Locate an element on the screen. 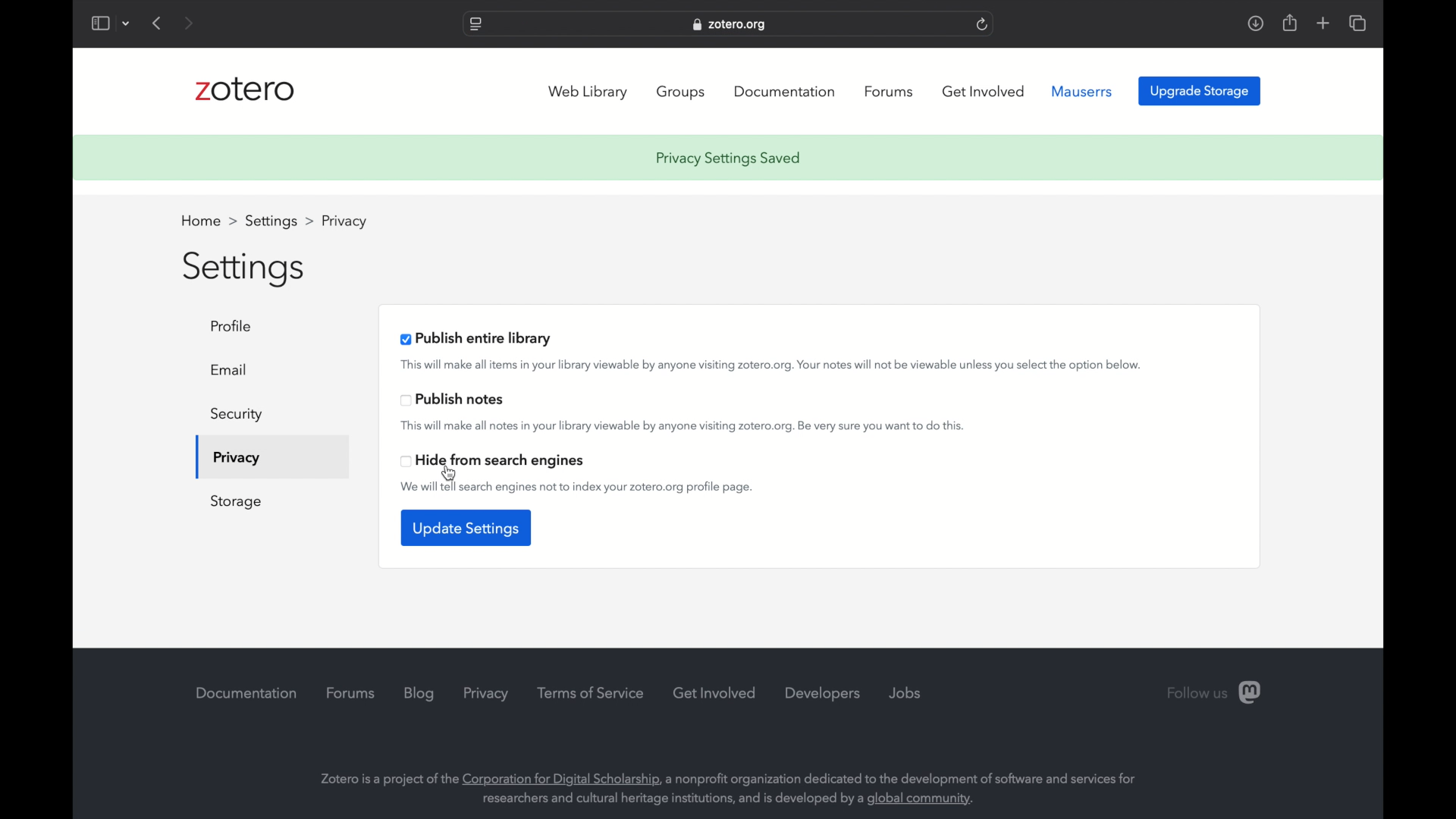  documentation is located at coordinates (784, 92).